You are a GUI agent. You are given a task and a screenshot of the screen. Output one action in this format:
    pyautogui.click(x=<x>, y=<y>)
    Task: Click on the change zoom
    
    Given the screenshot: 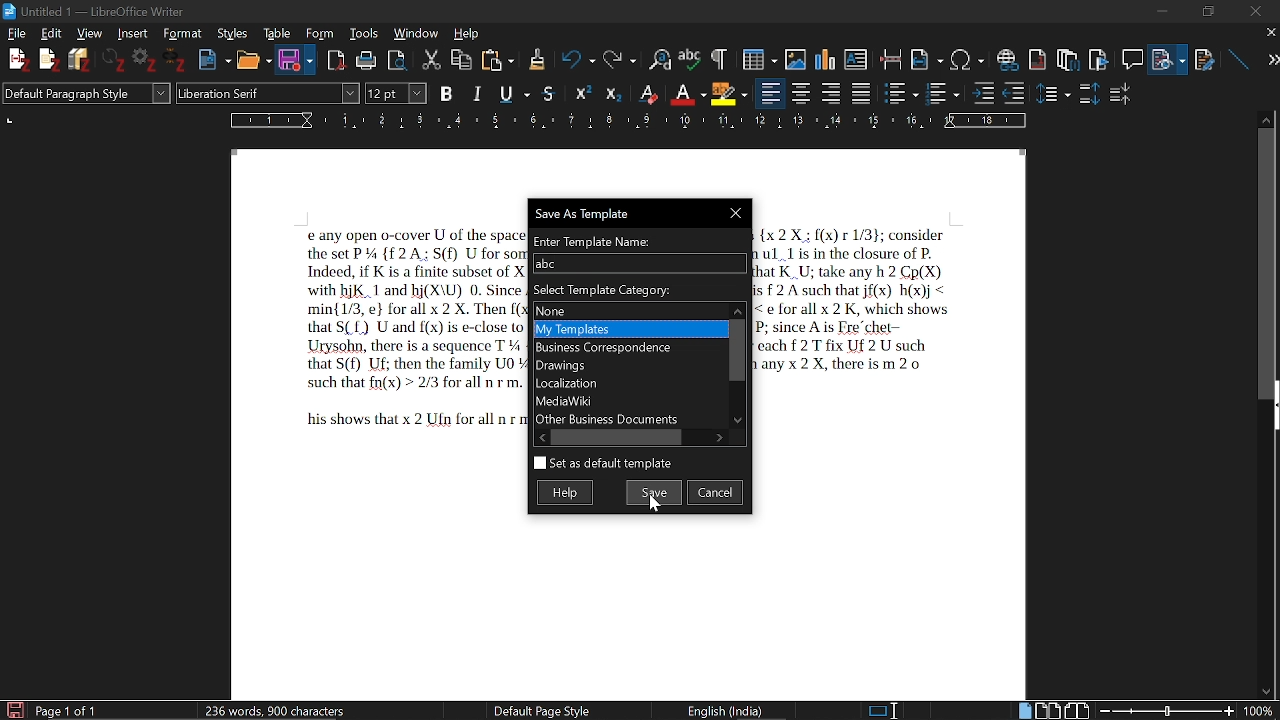 What is the action you would take?
    pyautogui.click(x=1185, y=710)
    